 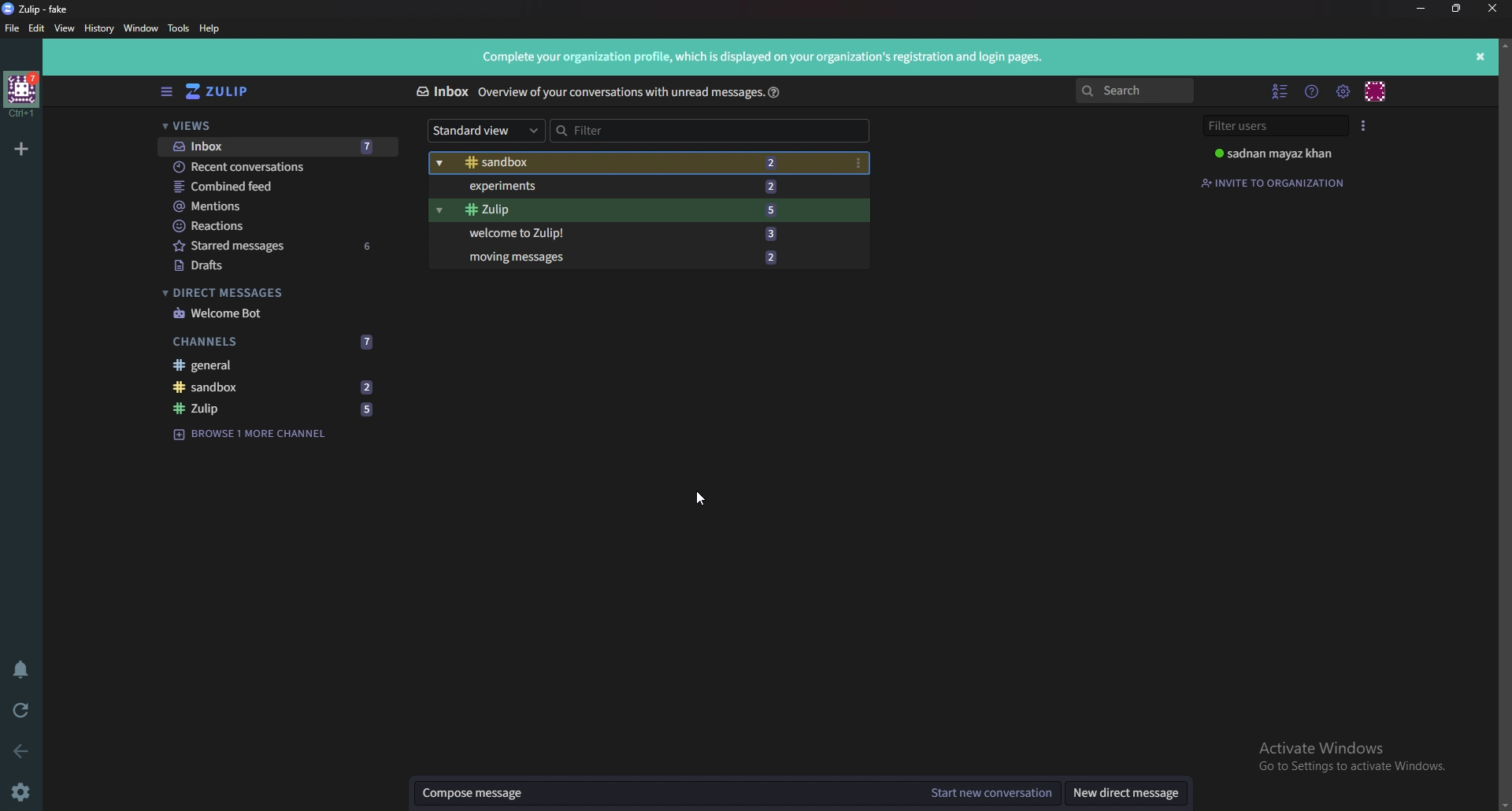 What do you see at coordinates (993, 790) in the screenshot?
I see `Start new conversation` at bounding box center [993, 790].